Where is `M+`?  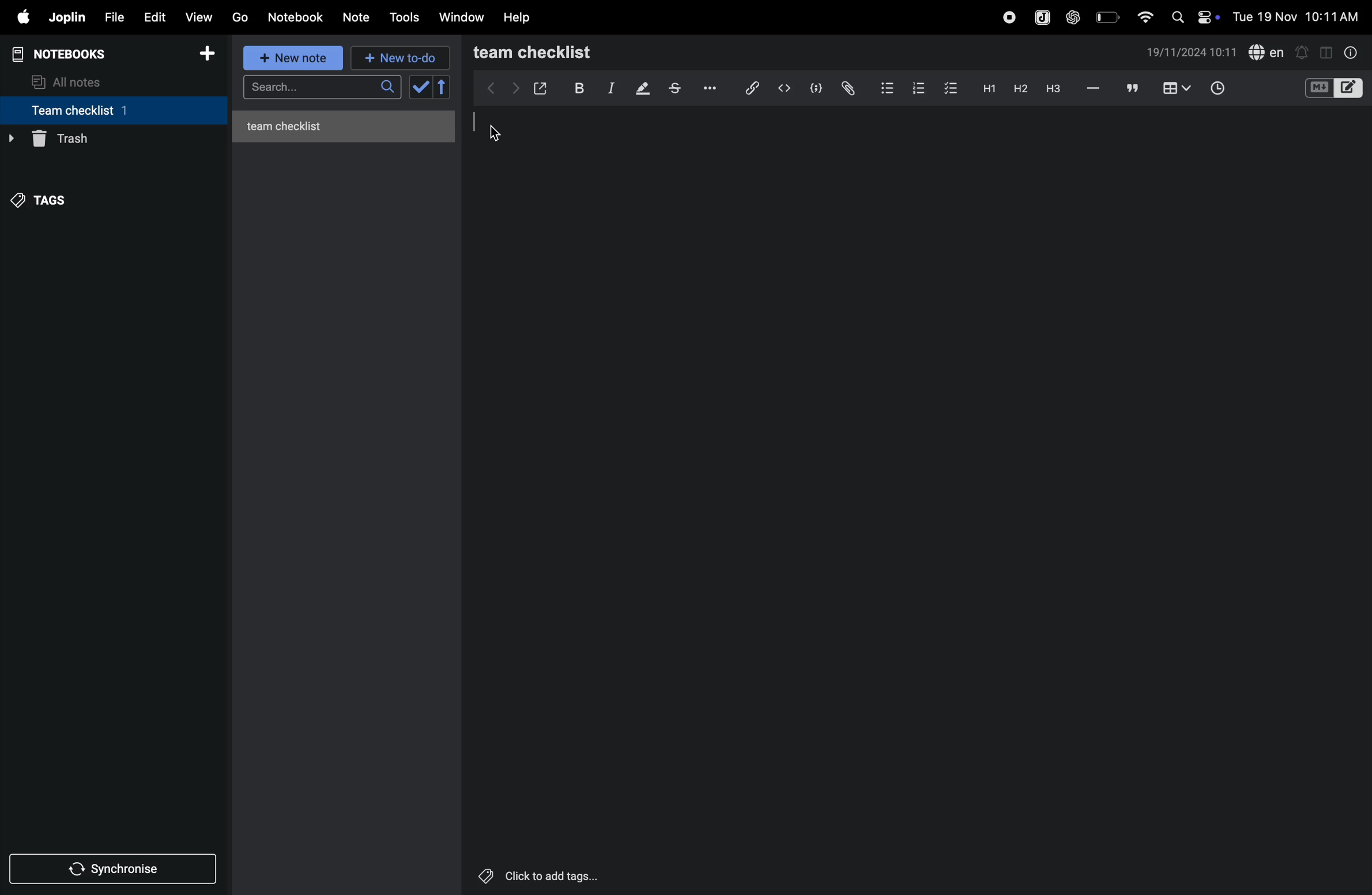
M+ is located at coordinates (1318, 88).